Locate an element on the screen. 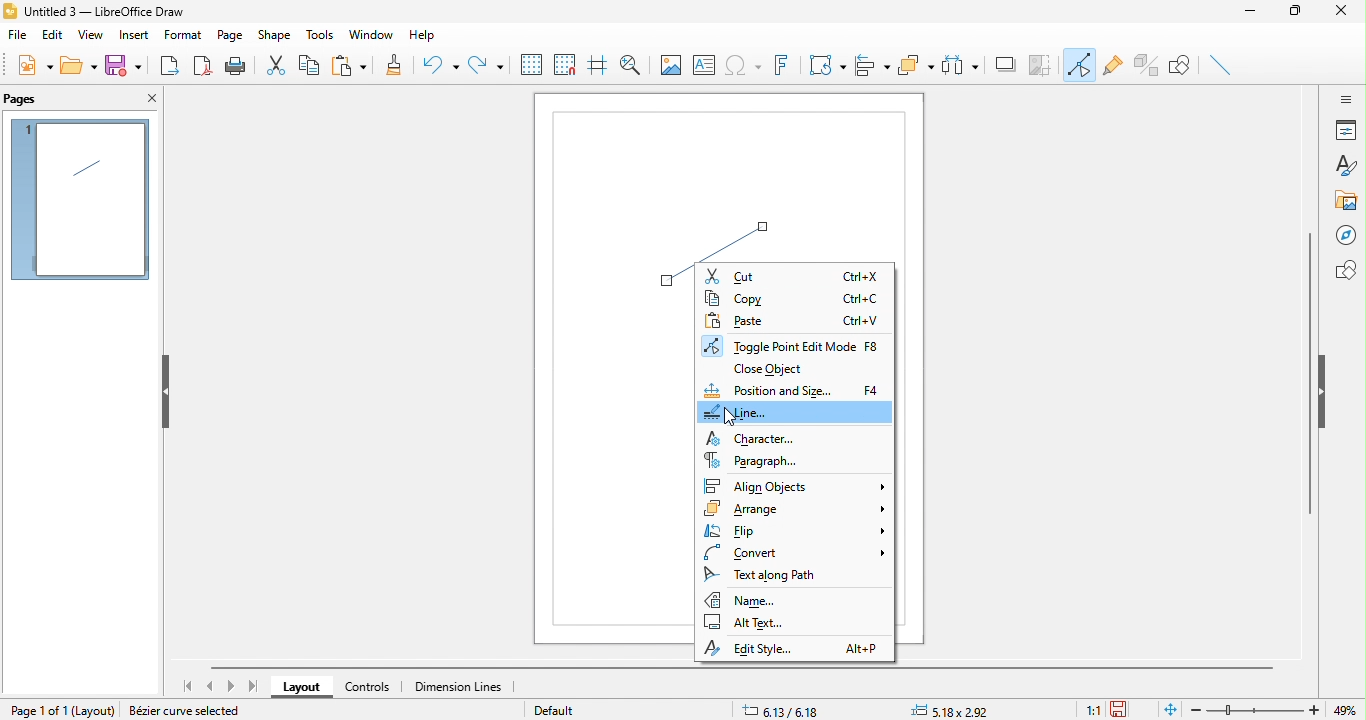 The image size is (1366, 720). view is located at coordinates (88, 38).